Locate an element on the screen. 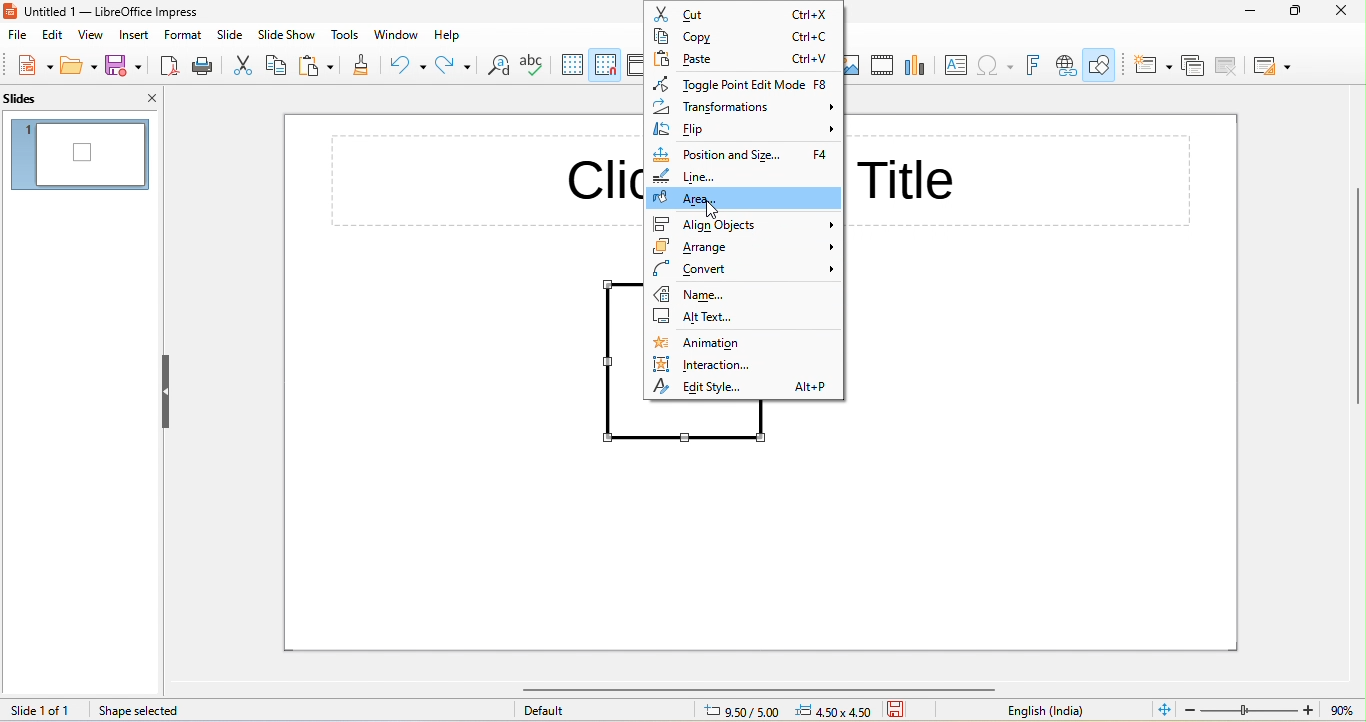 Image resolution: width=1366 pixels, height=722 pixels. flip is located at coordinates (744, 131).